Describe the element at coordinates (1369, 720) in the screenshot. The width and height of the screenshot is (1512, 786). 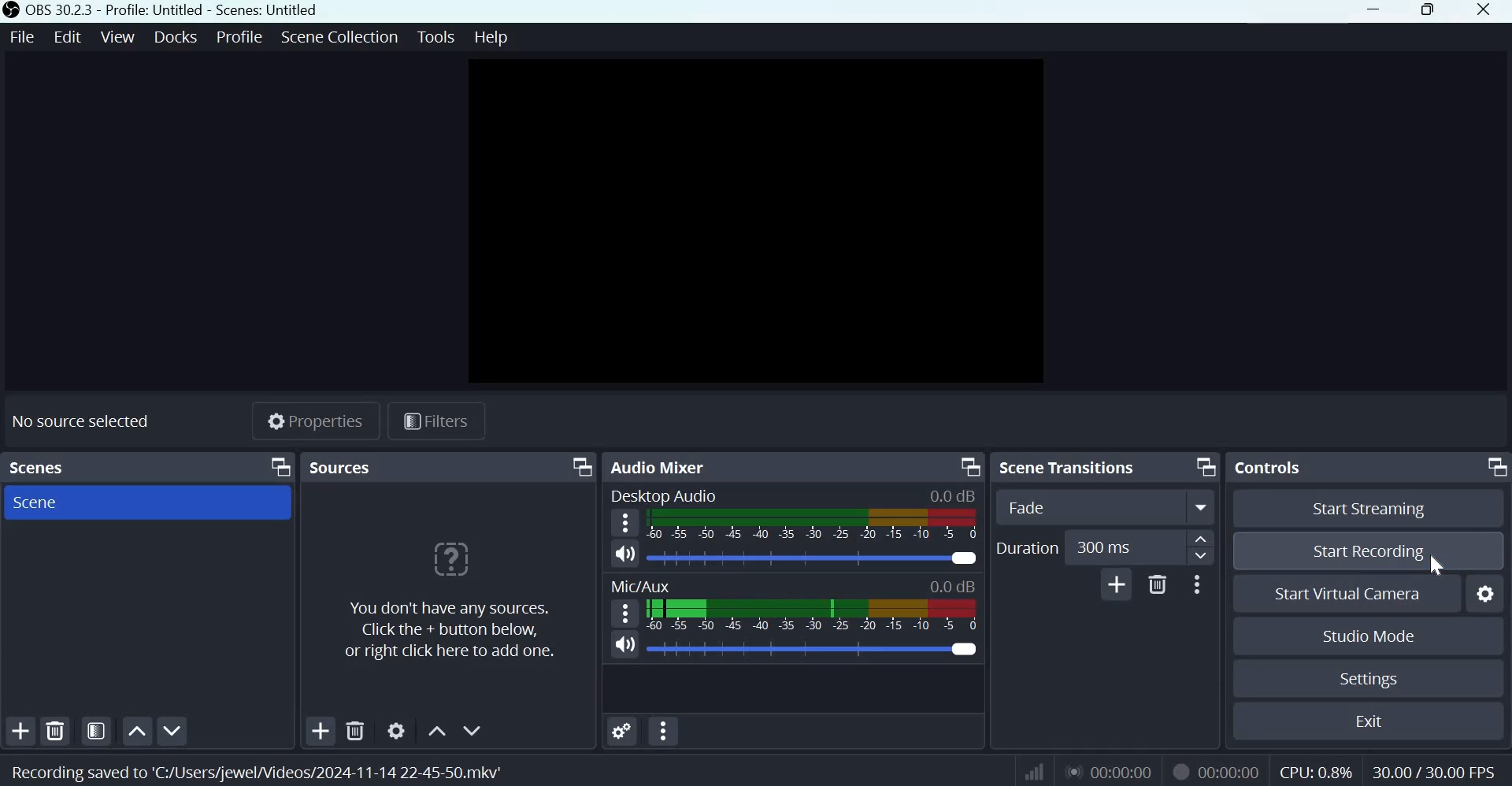
I see `exit` at that location.